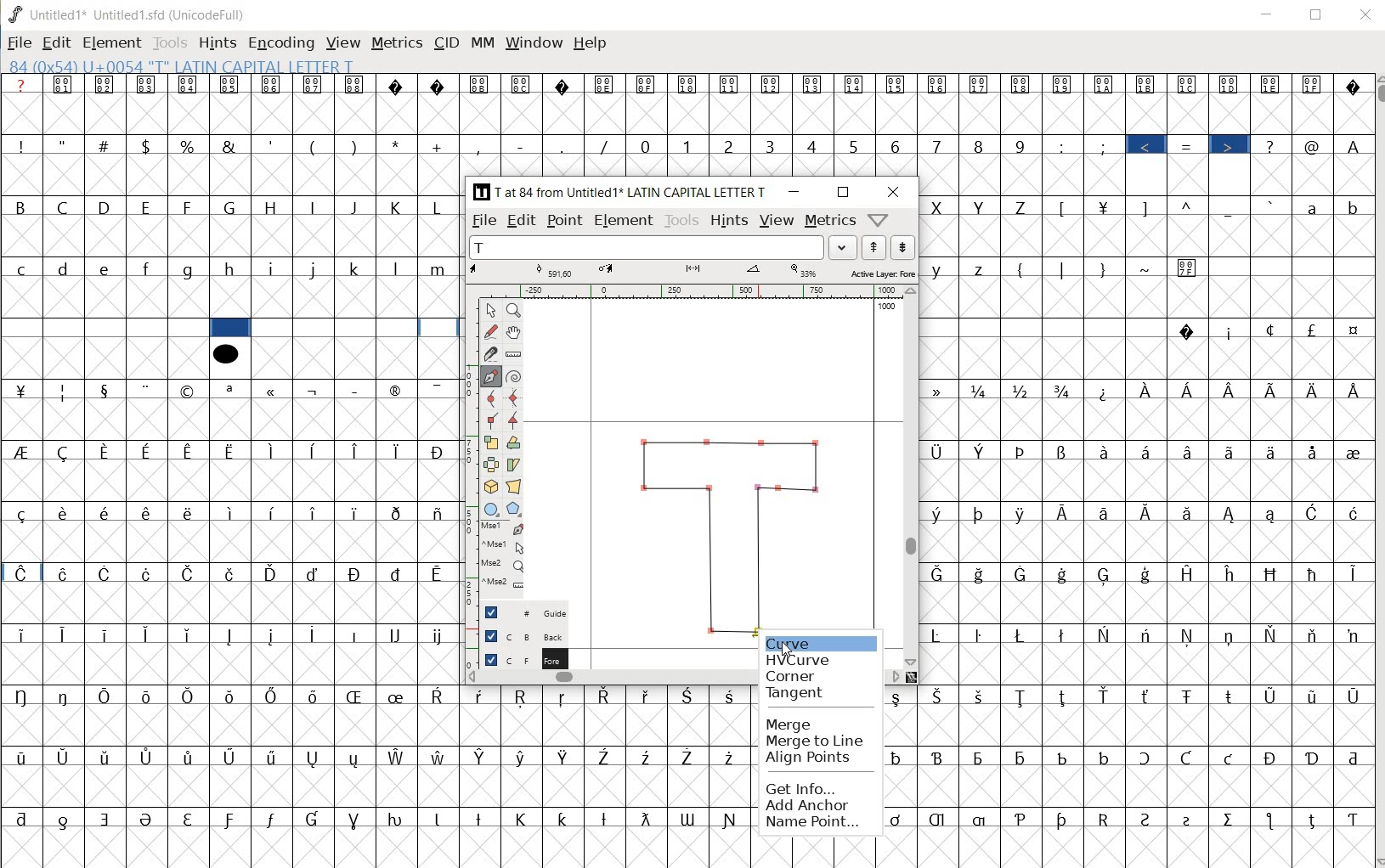  I want to click on Symbol, so click(1148, 818).